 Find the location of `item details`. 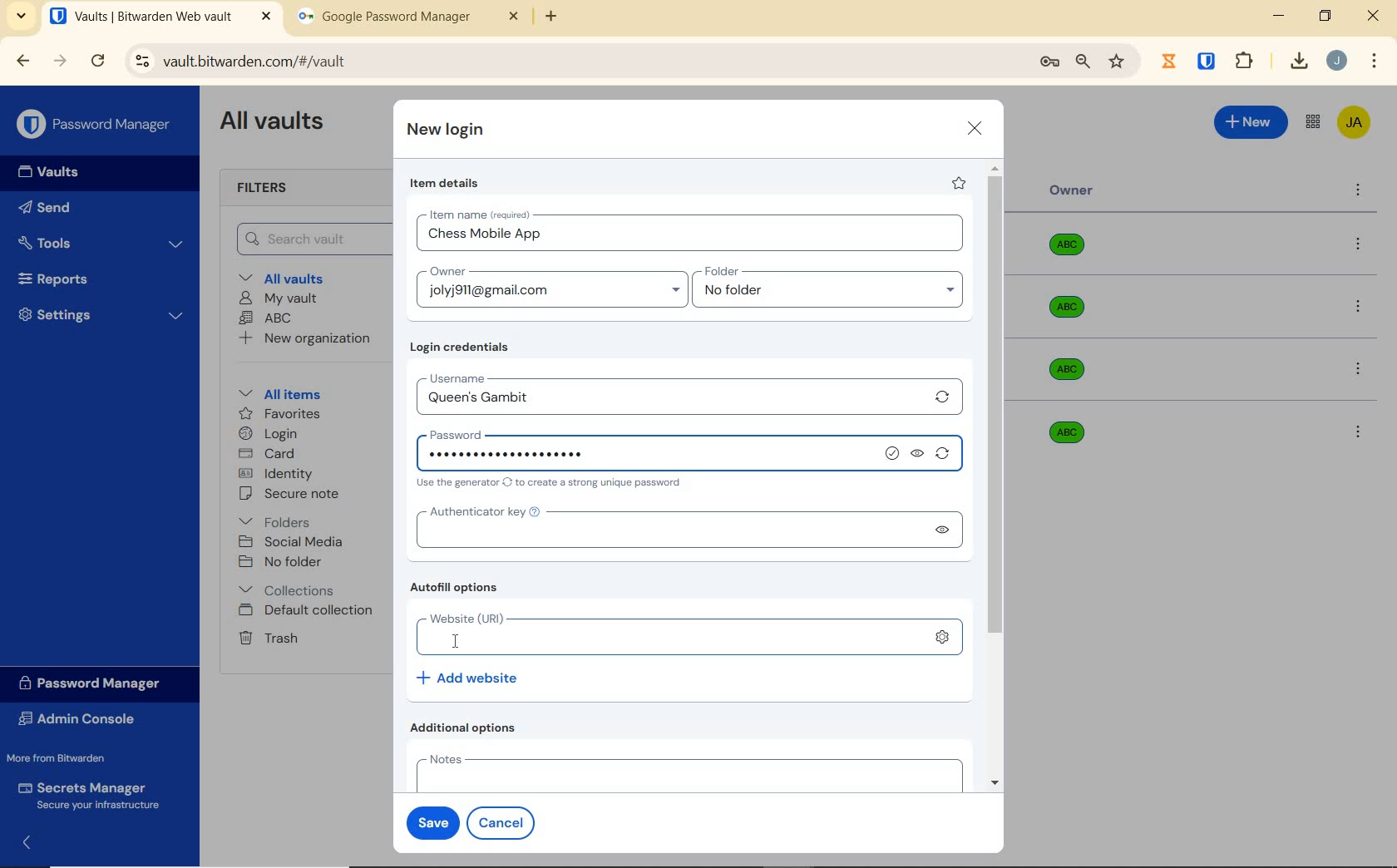

item details is located at coordinates (445, 184).